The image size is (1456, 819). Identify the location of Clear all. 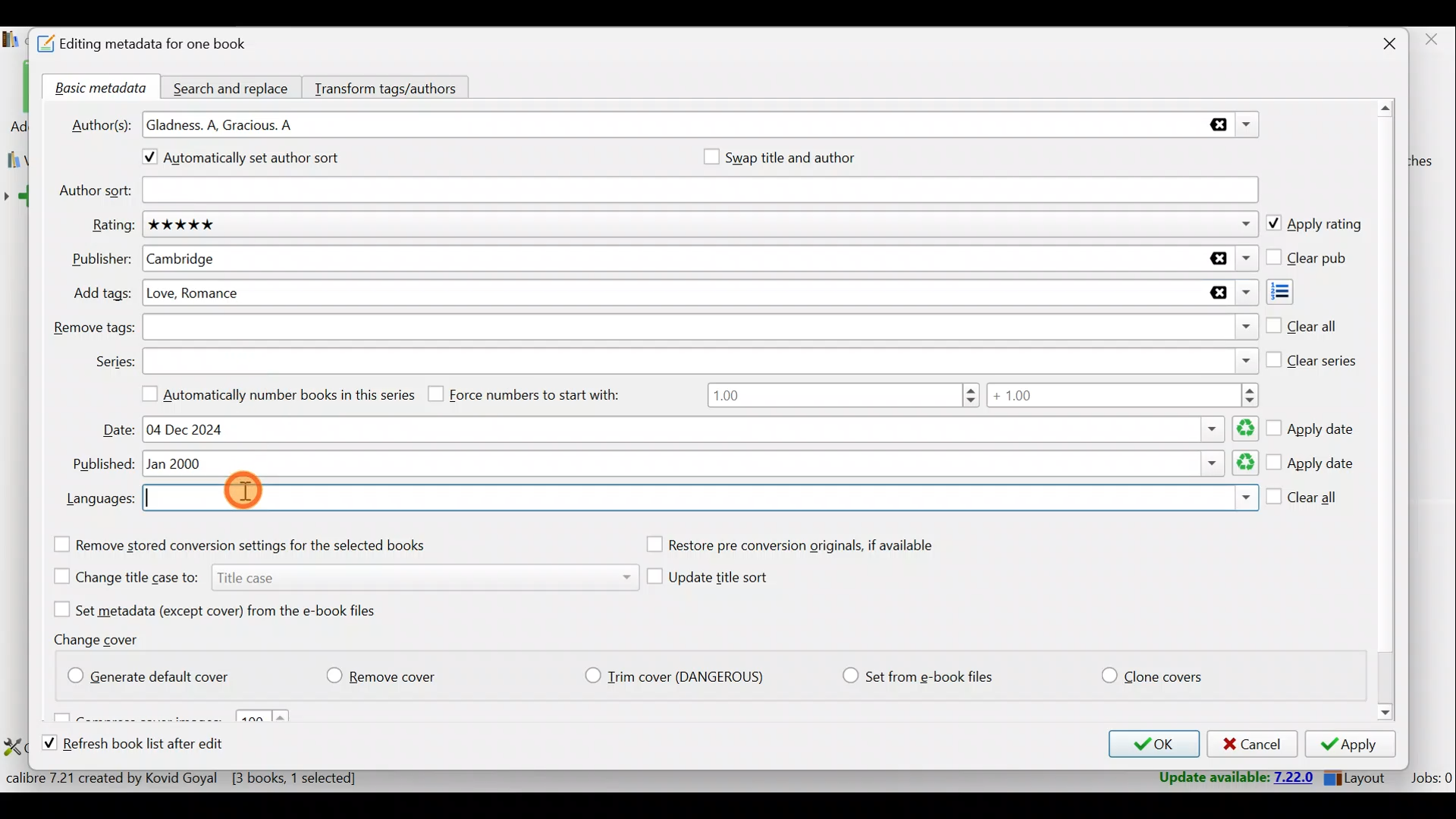
(1302, 323).